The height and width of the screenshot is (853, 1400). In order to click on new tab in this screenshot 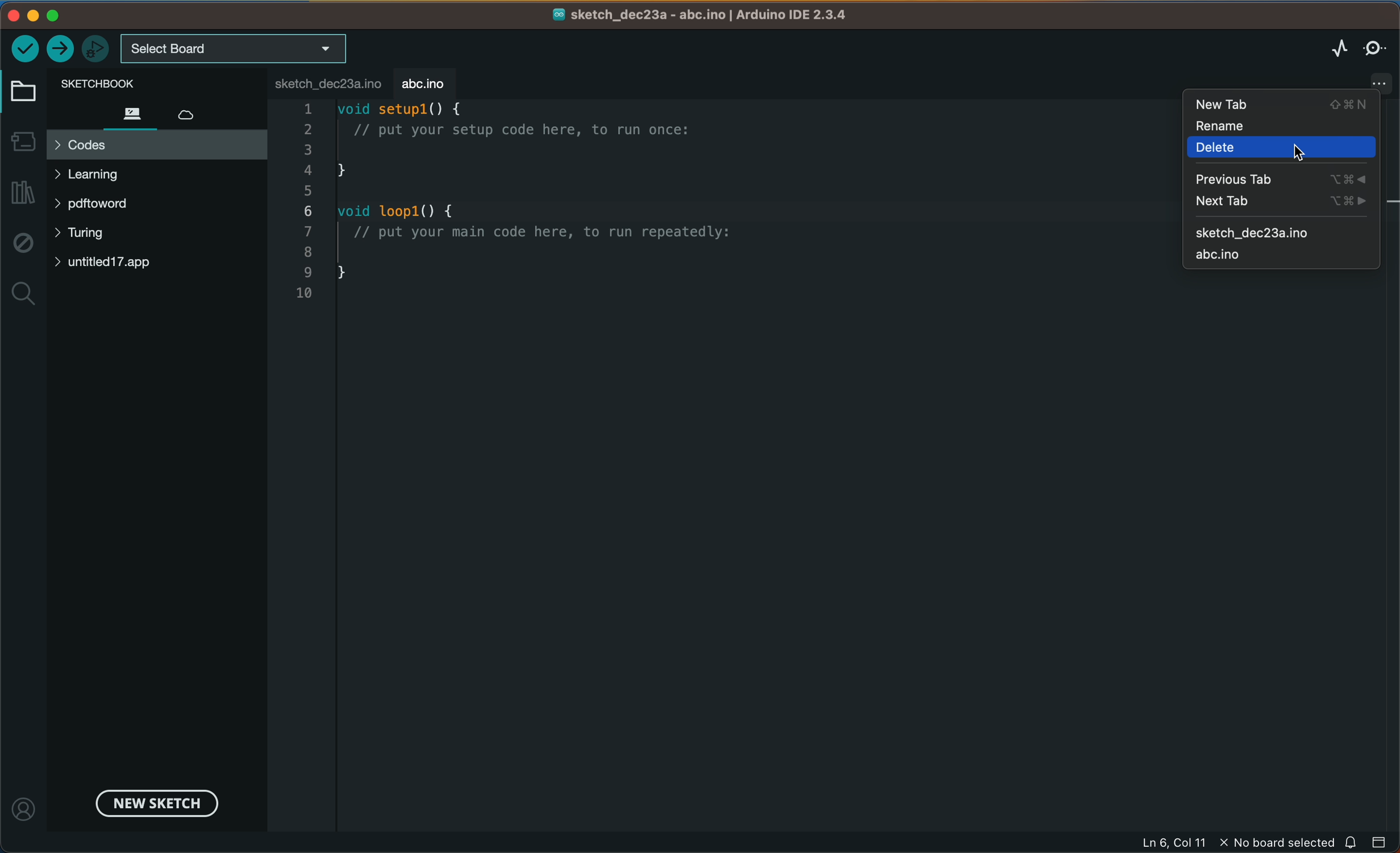, I will do `click(1284, 202)`.